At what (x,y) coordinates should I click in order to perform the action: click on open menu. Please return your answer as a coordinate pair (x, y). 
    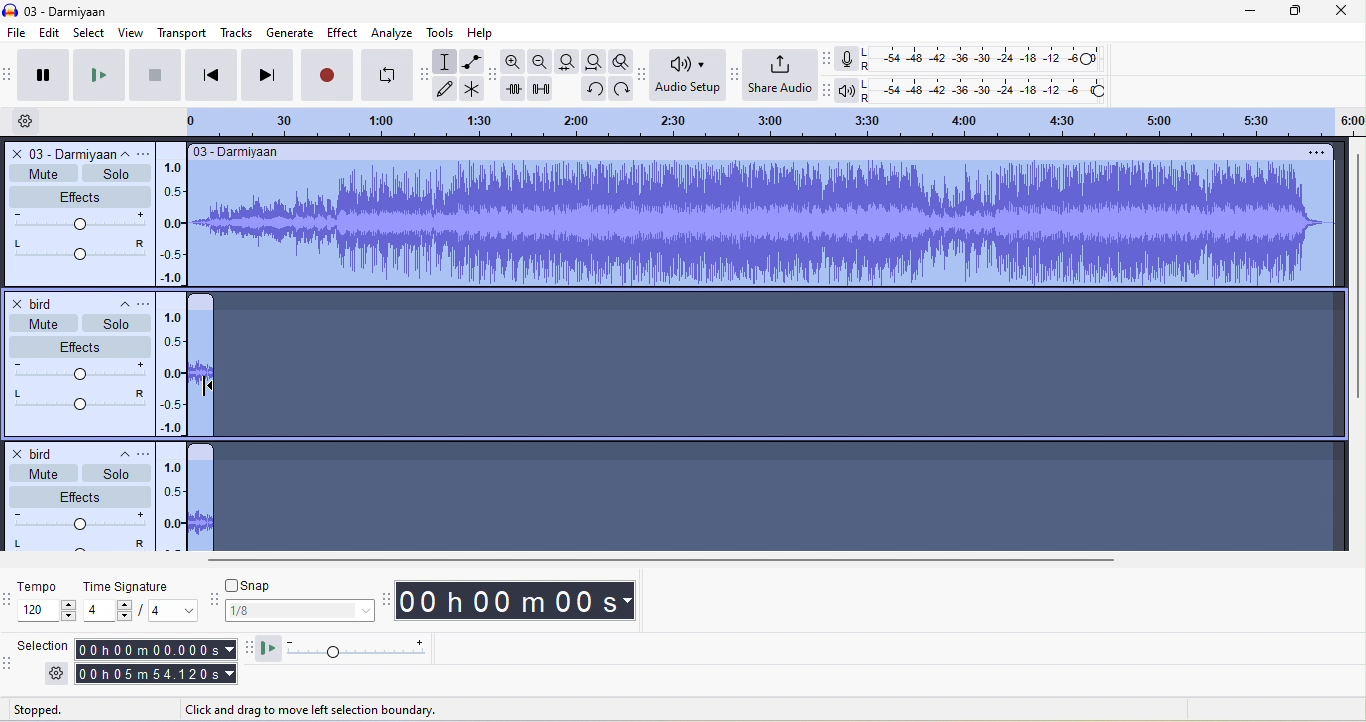
    Looking at the image, I should click on (149, 302).